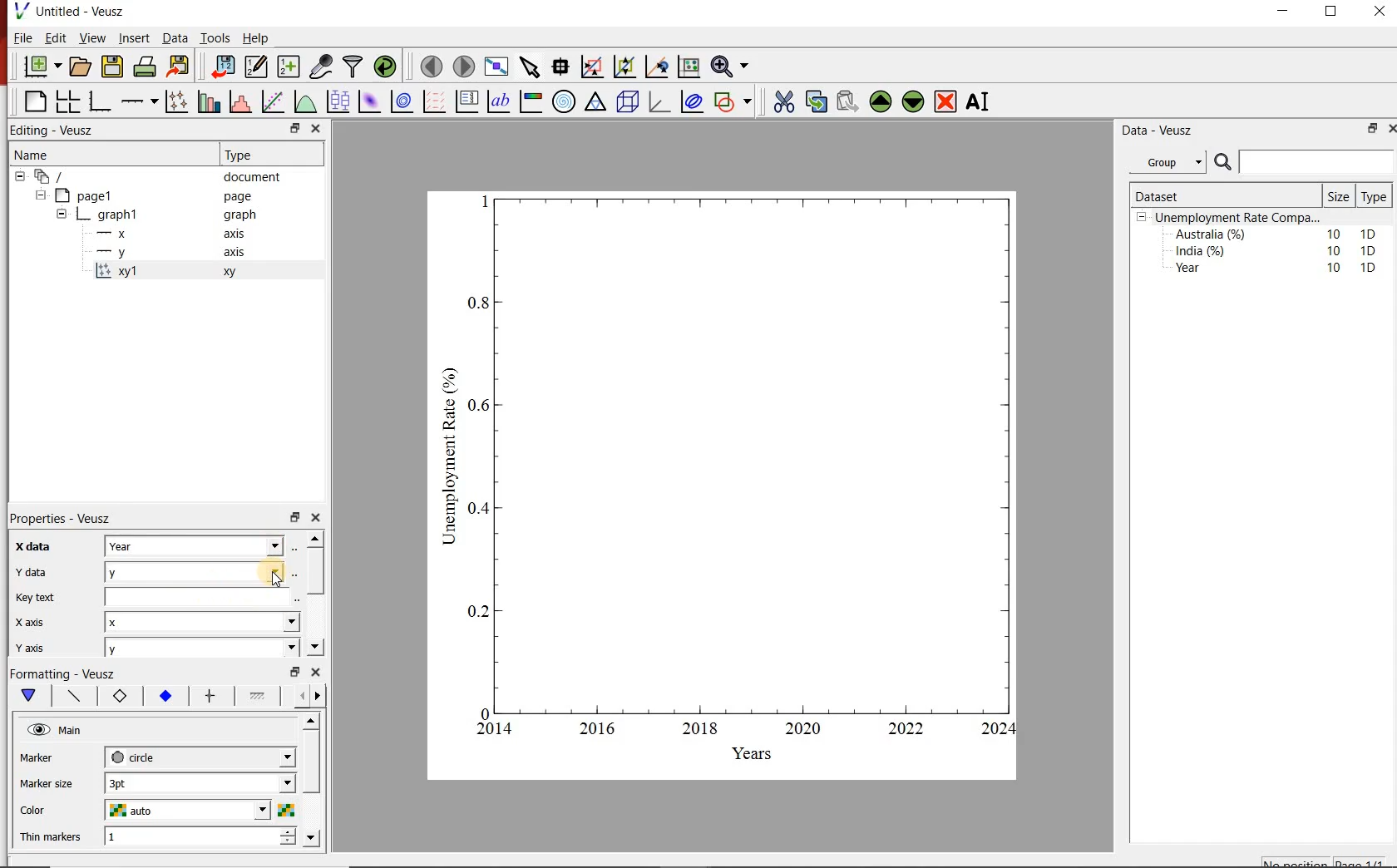 This screenshot has height=868, width=1397. What do you see at coordinates (43, 66) in the screenshot?
I see `new document` at bounding box center [43, 66].